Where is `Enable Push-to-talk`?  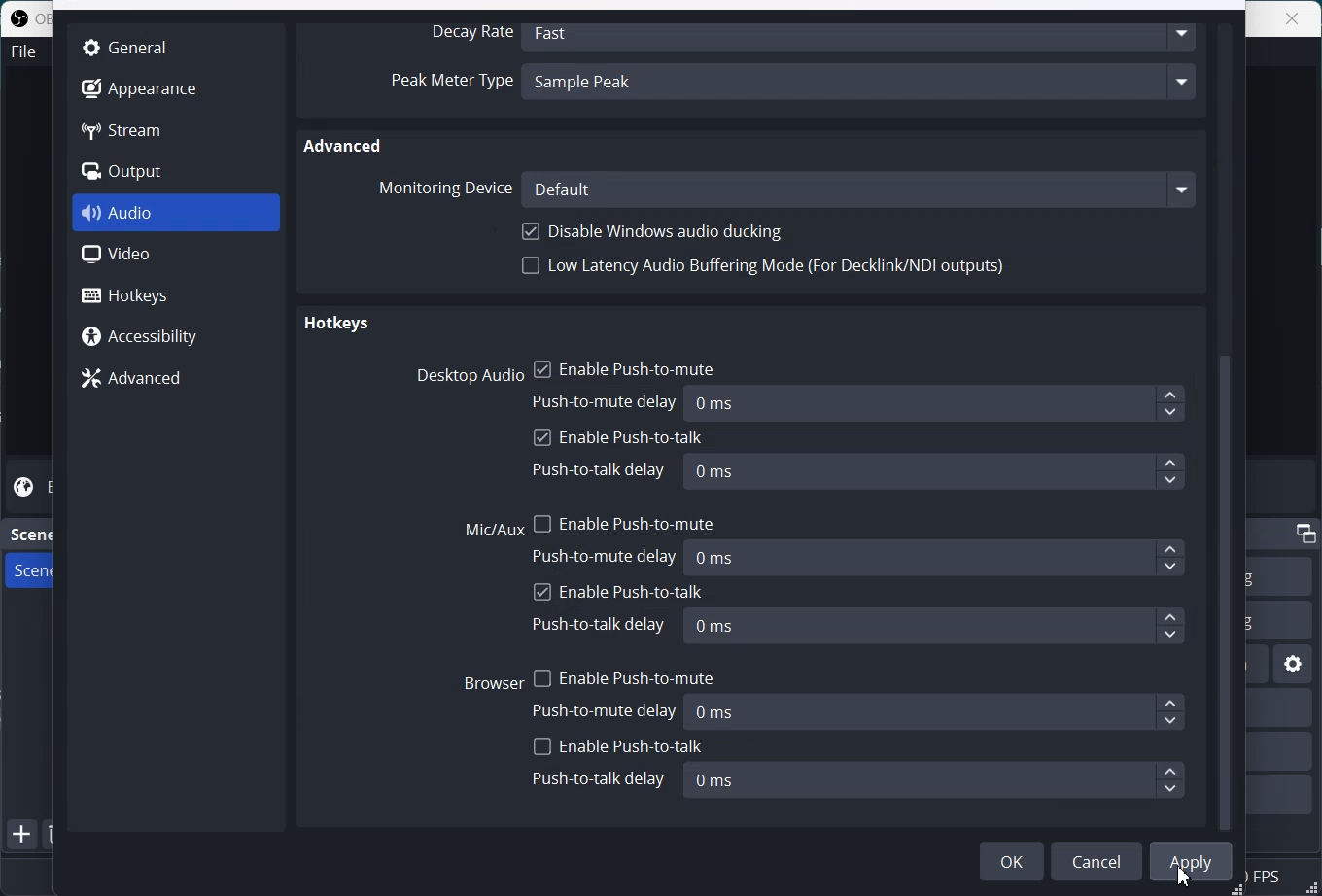 Enable Push-to-talk is located at coordinates (618, 591).